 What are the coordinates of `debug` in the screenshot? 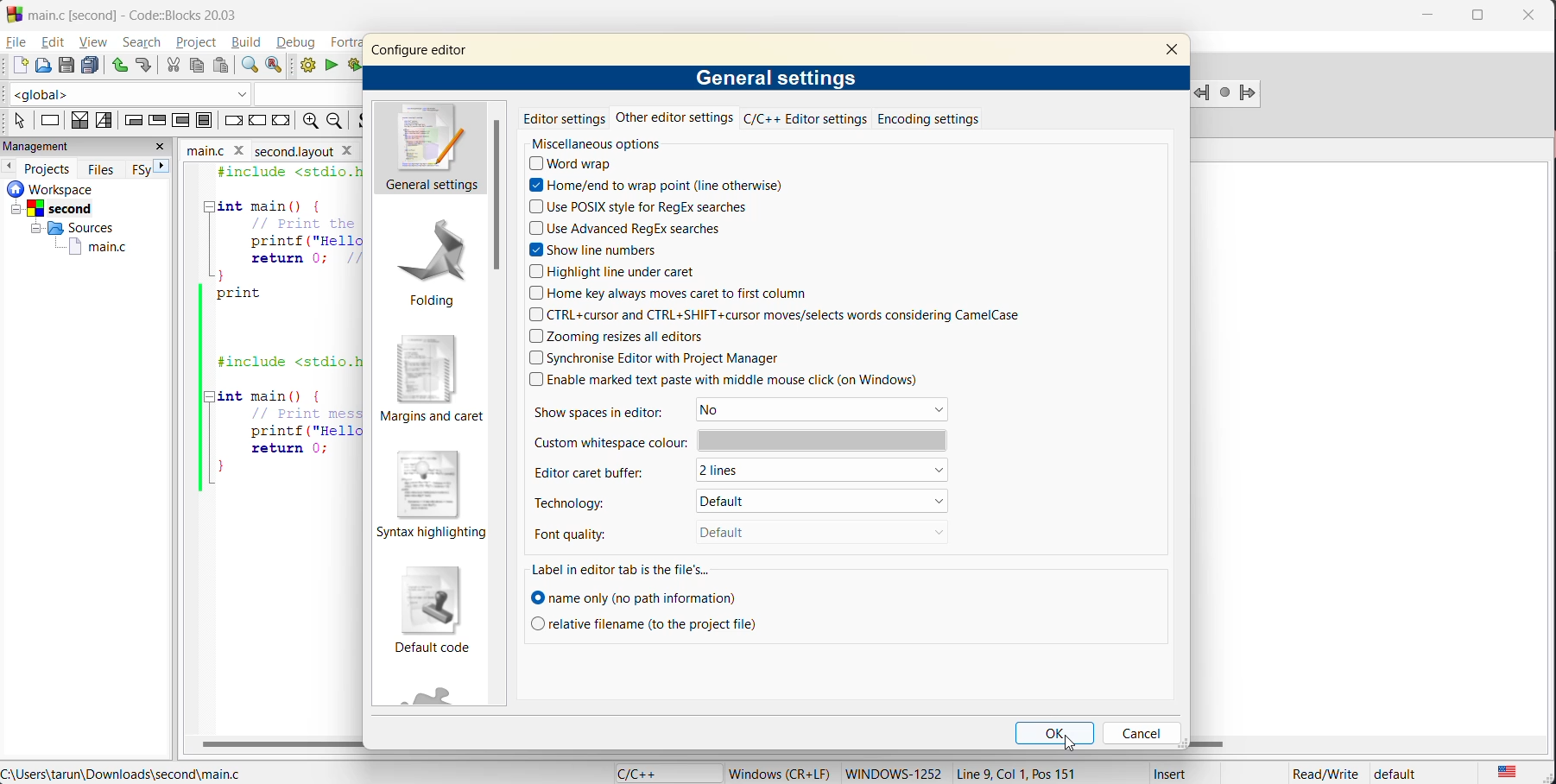 It's located at (300, 43).